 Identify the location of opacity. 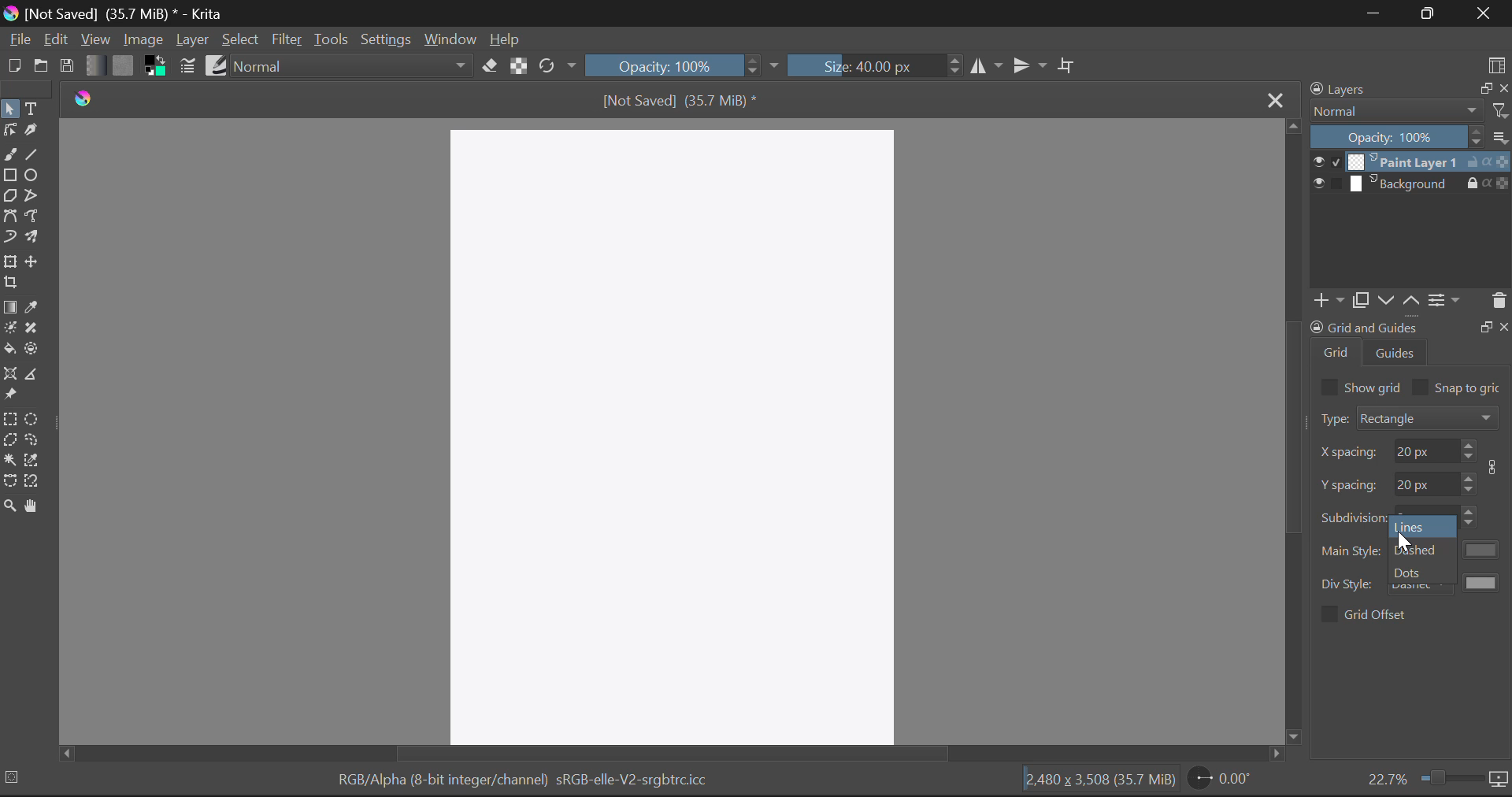
(1397, 136).